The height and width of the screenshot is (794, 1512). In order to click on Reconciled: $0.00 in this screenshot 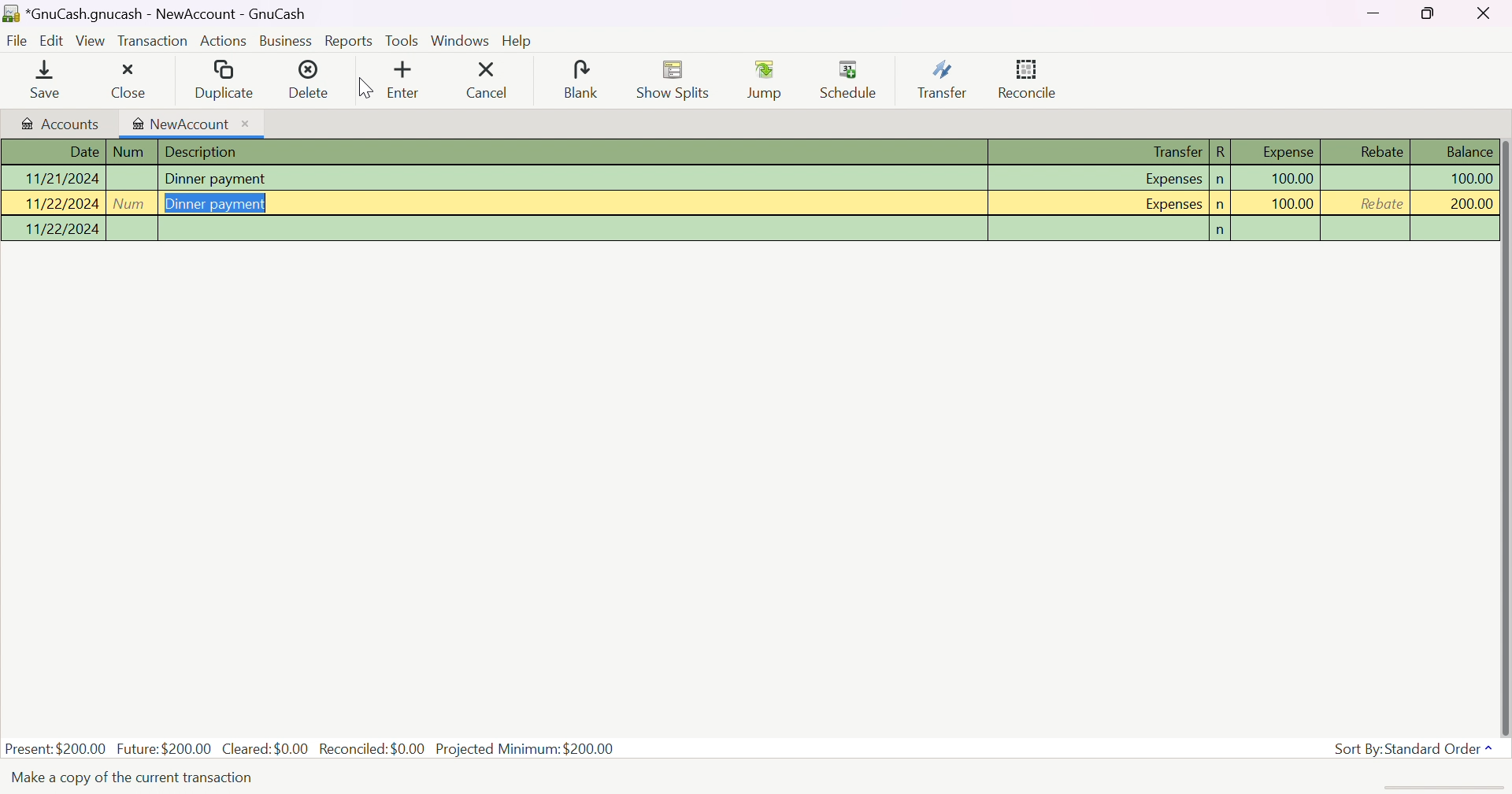, I will do `click(372, 748)`.